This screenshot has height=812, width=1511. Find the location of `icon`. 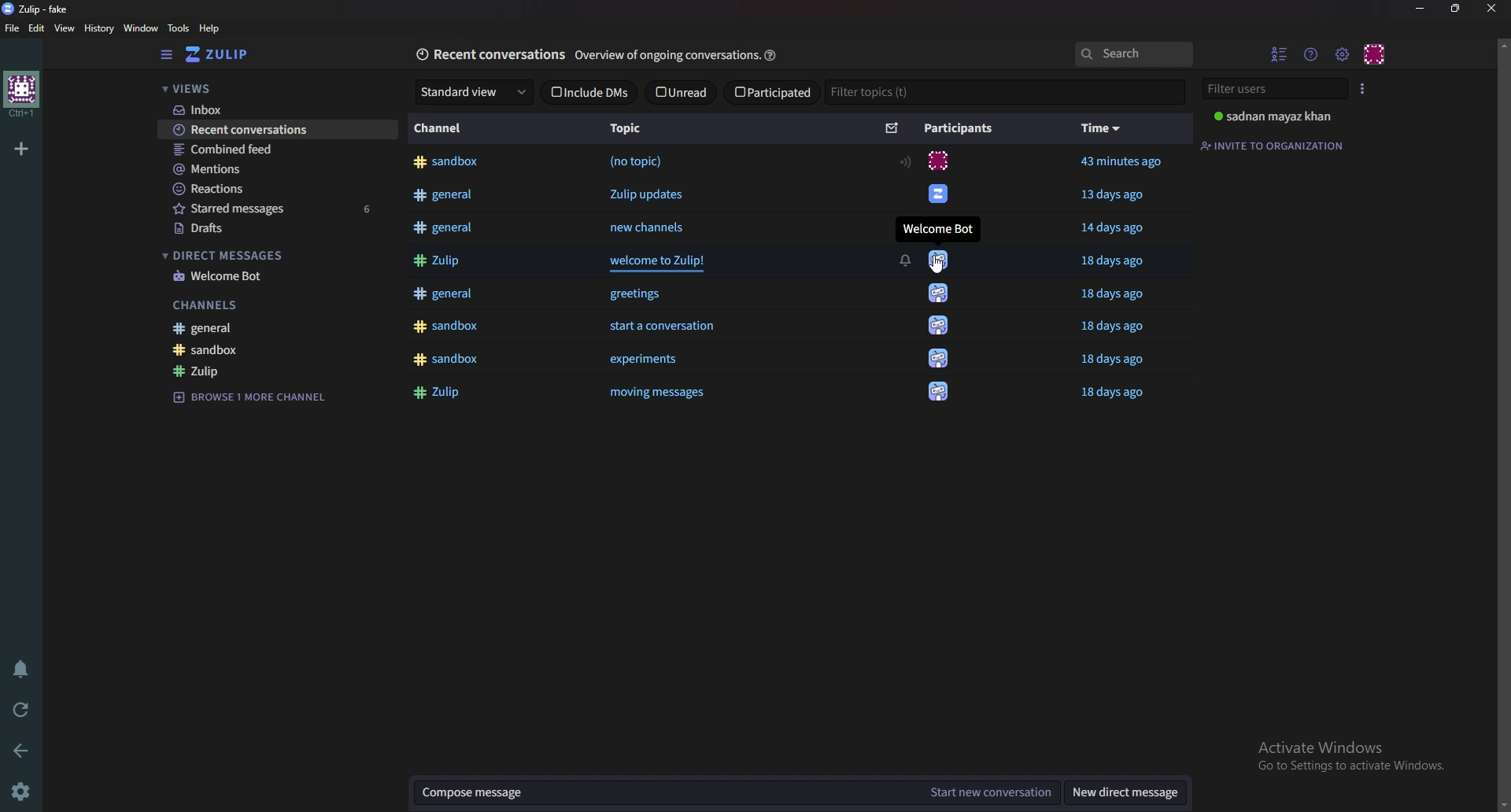

icon is located at coordinates (938, 192).